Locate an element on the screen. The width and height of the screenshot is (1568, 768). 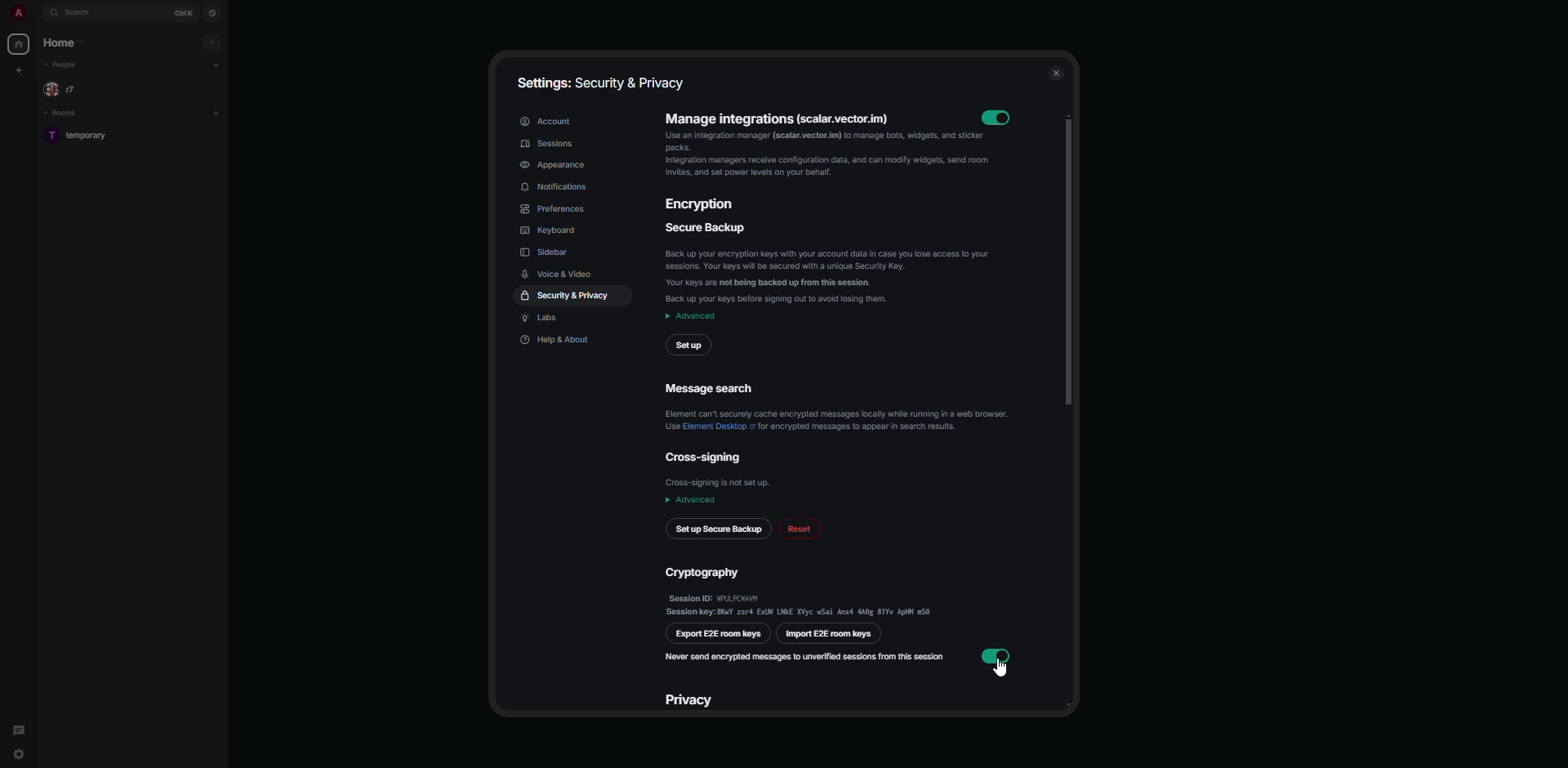
quick settings is located at coordinates (20, 757).